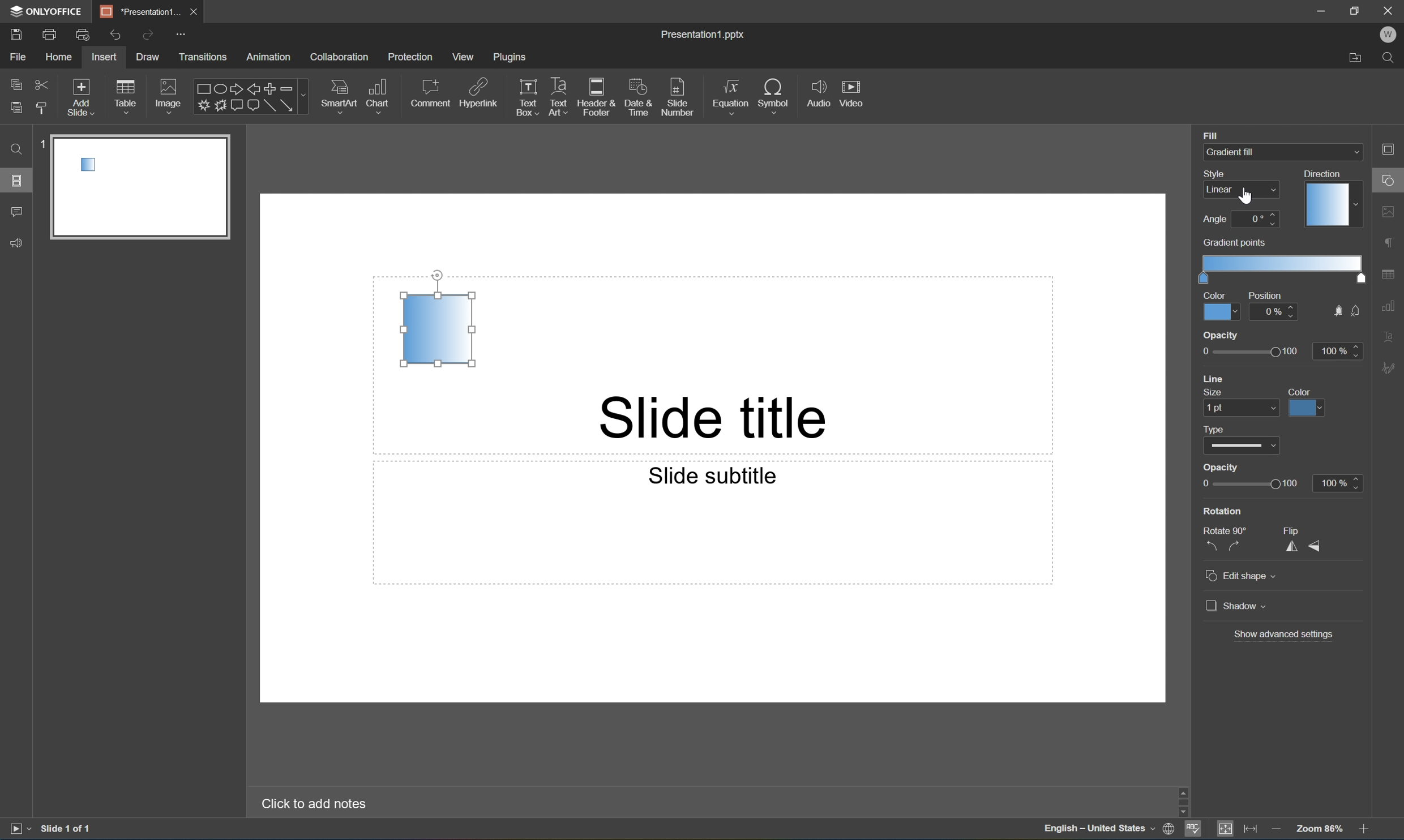 The height and width of the screenshot is (840, 1404). Describe the element at coordinates (149, 57) in the screenshot. I see `Draw` at that location.